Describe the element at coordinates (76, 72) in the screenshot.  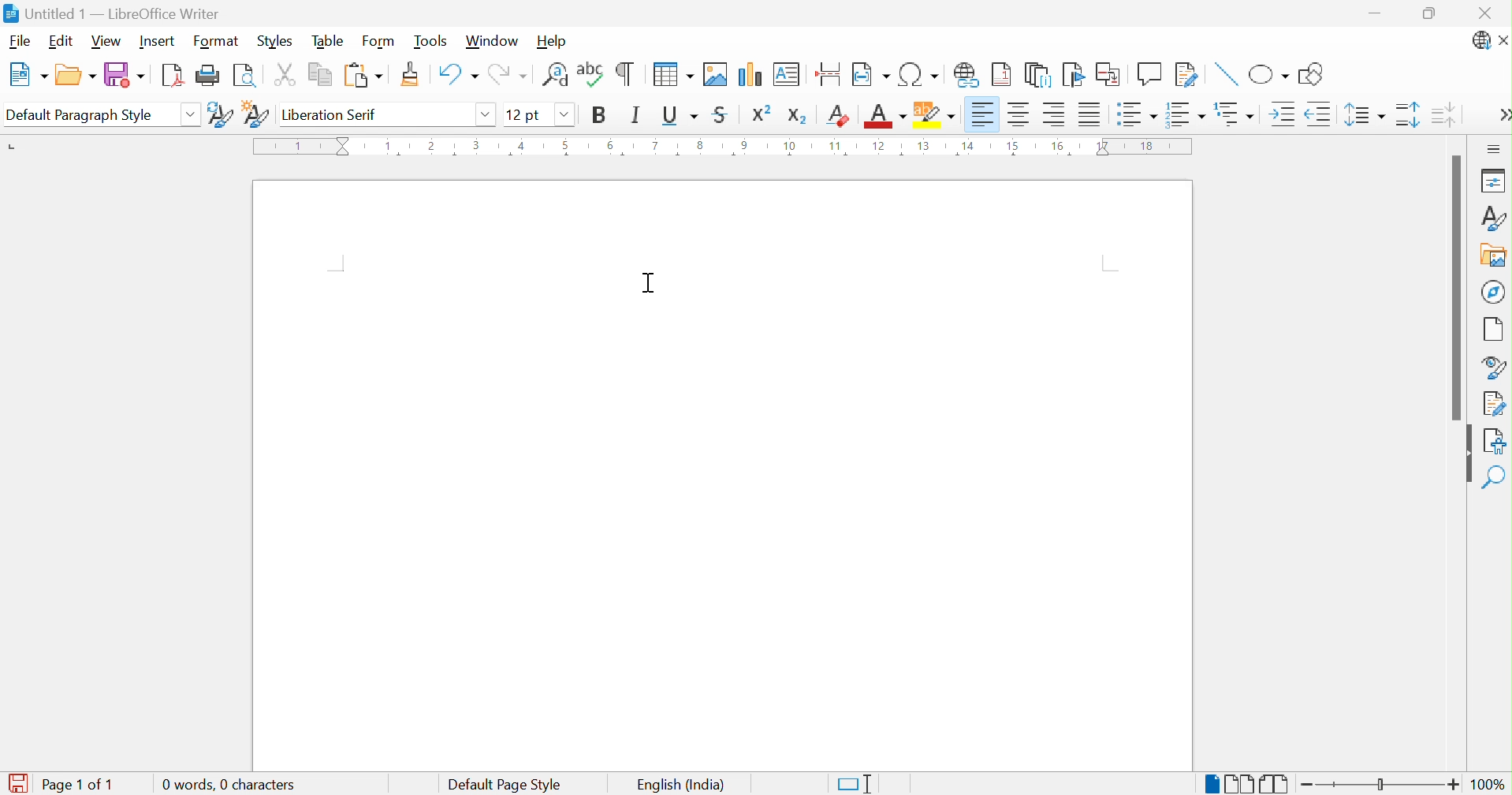
I see `Open` at that location.